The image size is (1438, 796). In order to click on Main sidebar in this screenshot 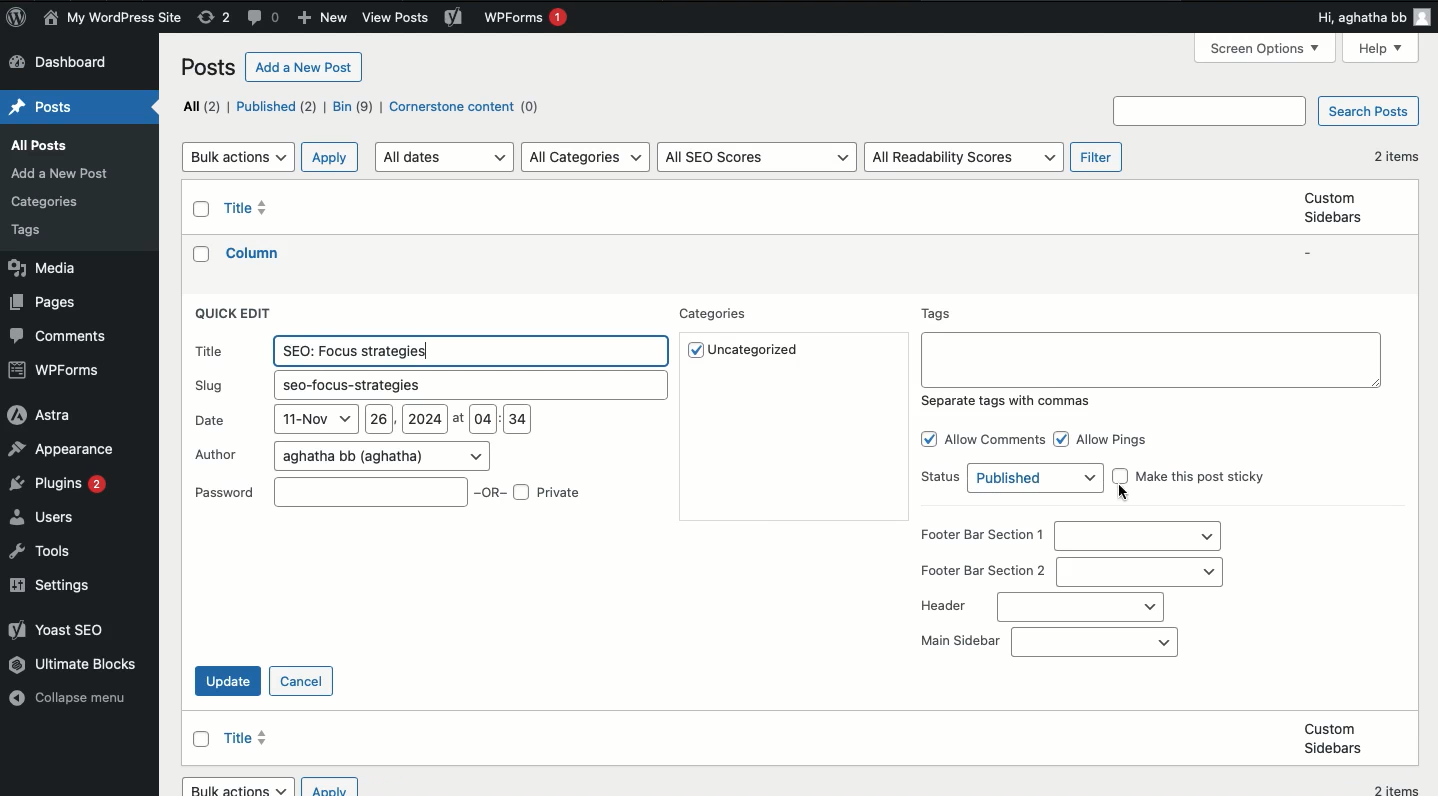, I will do `click(962, 642)`.